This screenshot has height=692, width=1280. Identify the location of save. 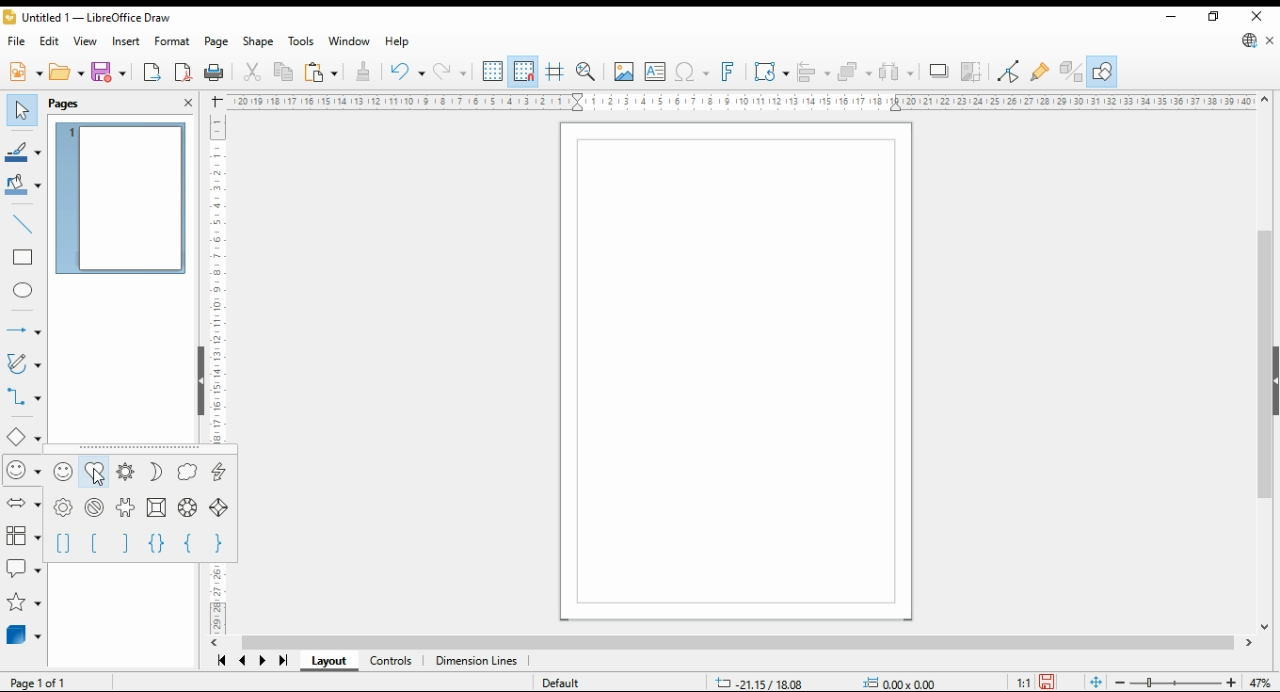
(110, 72).